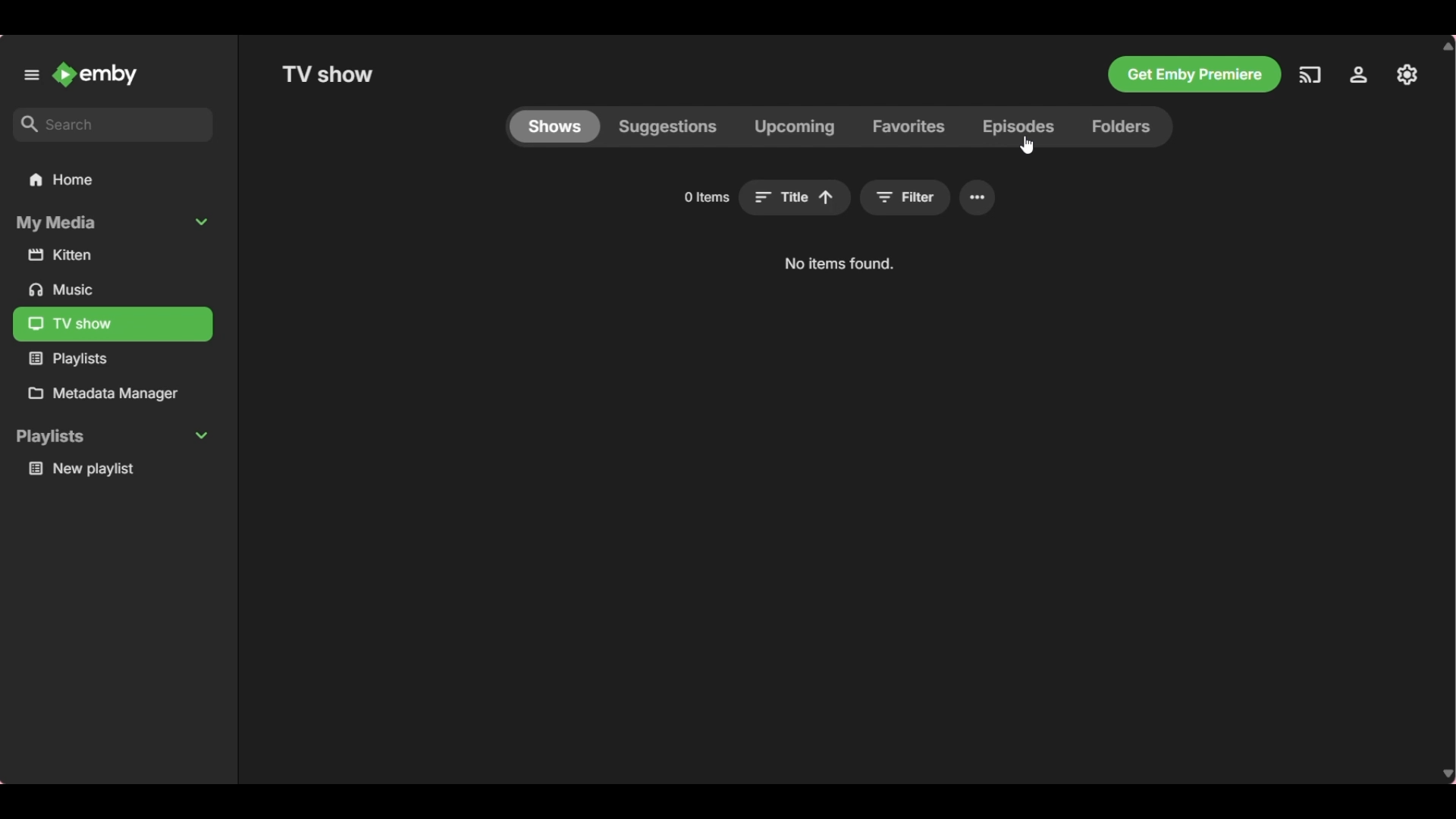 The image size is (1456, 819). Describe the element at coordinates (113, 125) in the screenshot. I see `Type in search` at that location.